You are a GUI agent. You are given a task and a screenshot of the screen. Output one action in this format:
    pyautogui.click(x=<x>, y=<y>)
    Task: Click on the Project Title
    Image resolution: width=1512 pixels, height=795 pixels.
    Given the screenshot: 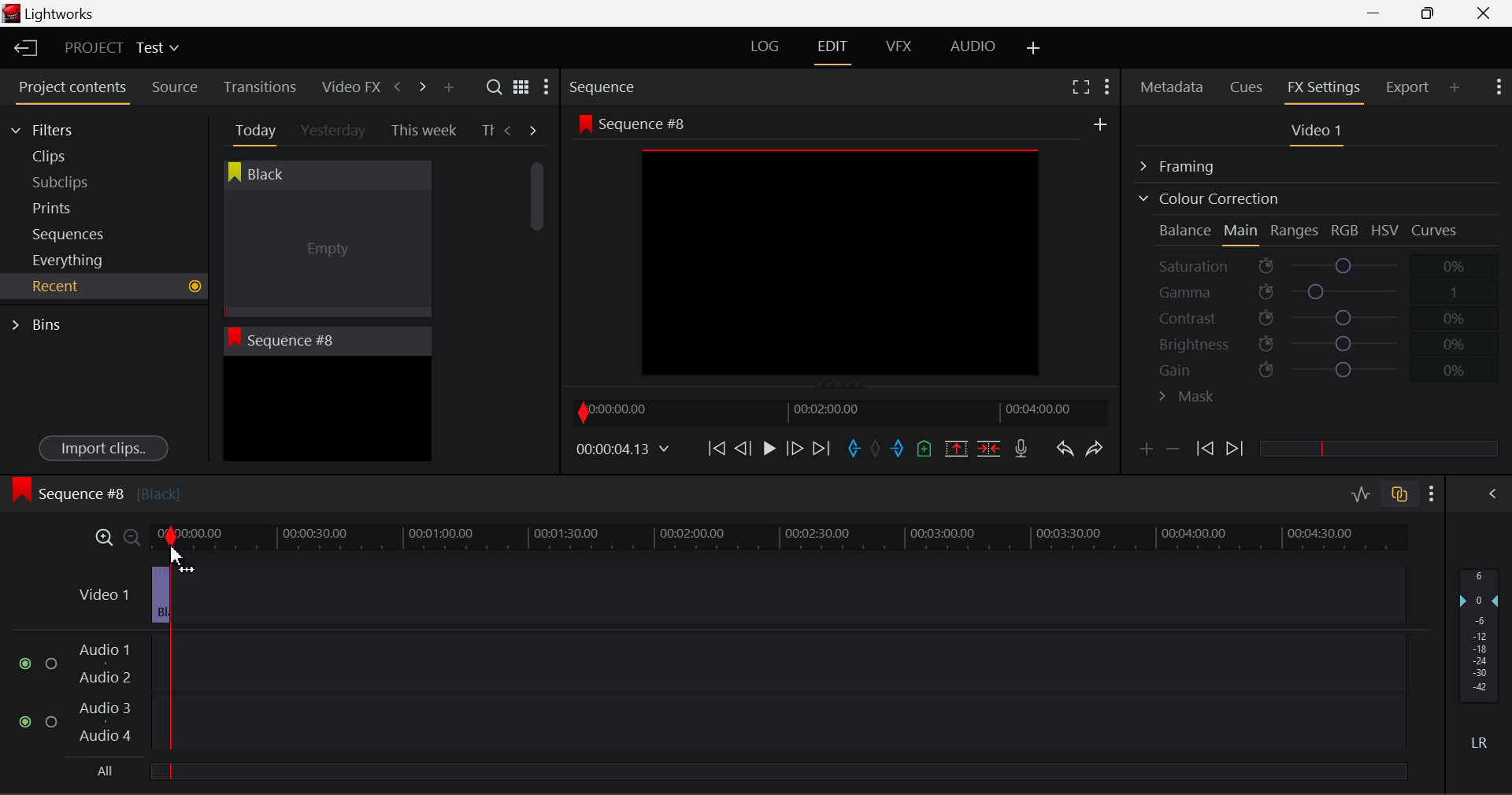 What is the action you would take?
    pyautogui.click(x=122, y=49)
    